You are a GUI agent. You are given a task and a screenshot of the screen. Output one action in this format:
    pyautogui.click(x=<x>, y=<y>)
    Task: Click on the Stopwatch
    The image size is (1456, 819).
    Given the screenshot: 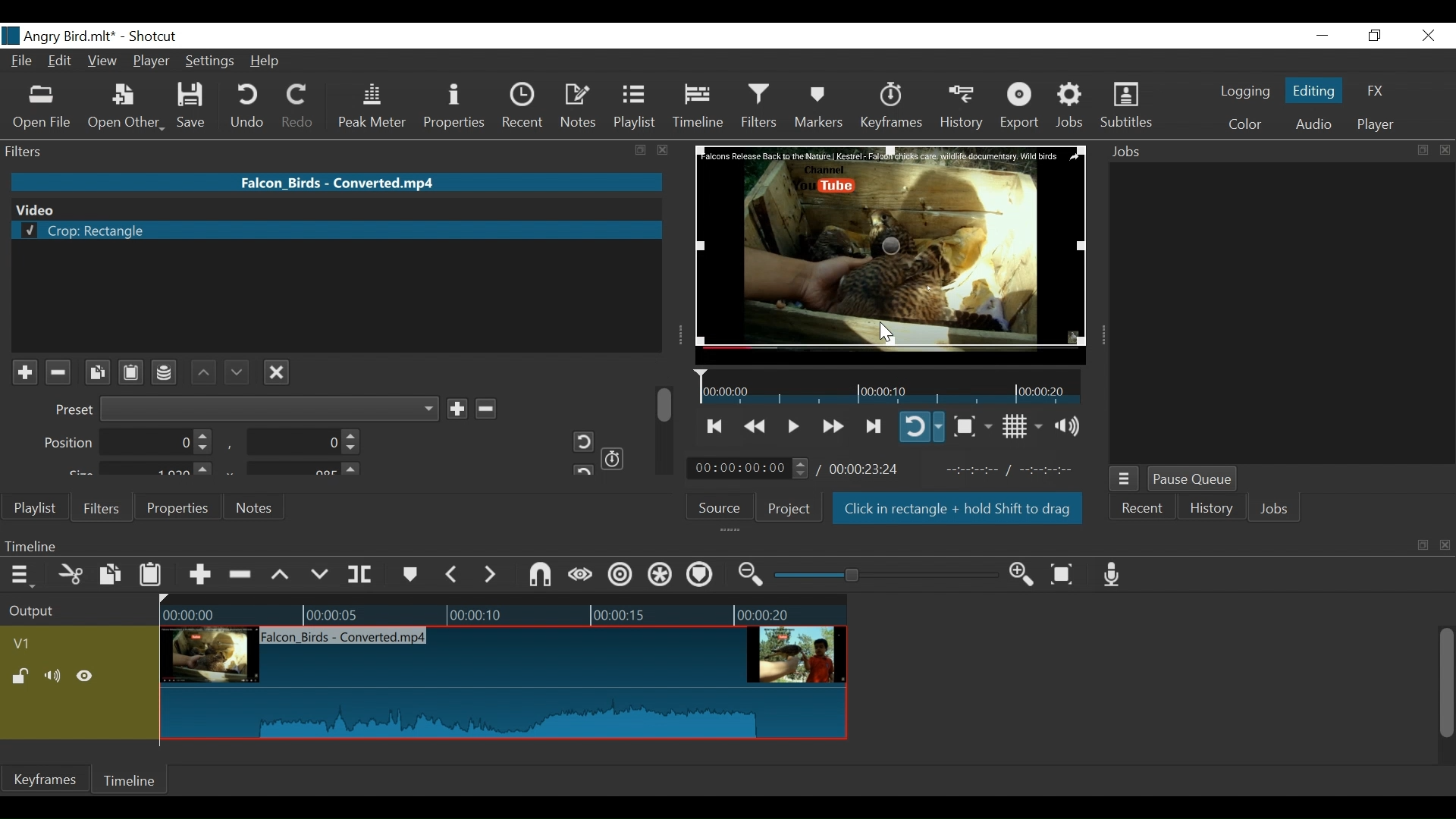 What is the action you would take?
    pyautogui.click(x=613, y=457)
    